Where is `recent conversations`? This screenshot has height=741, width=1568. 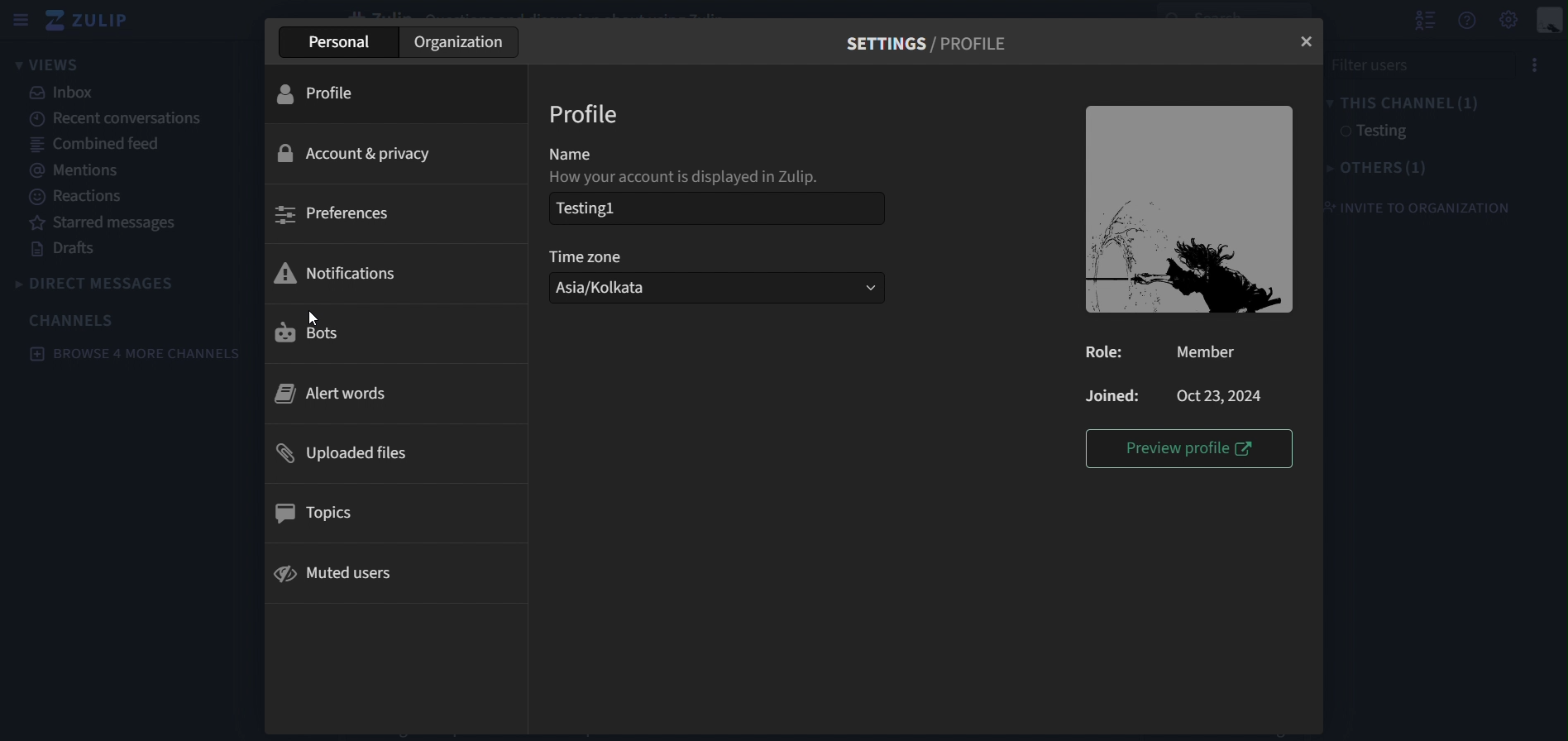 recent conversations is located at coordinates (128, 117).